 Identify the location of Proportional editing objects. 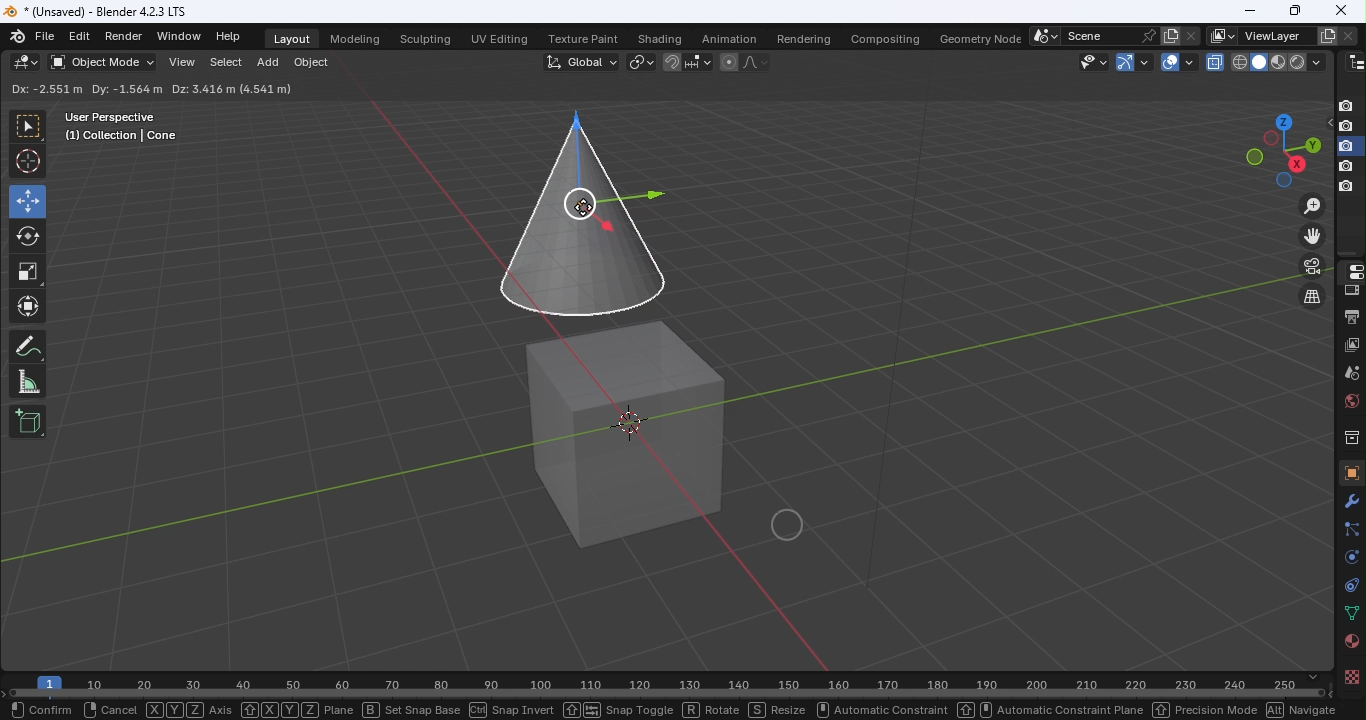
(728, 64).